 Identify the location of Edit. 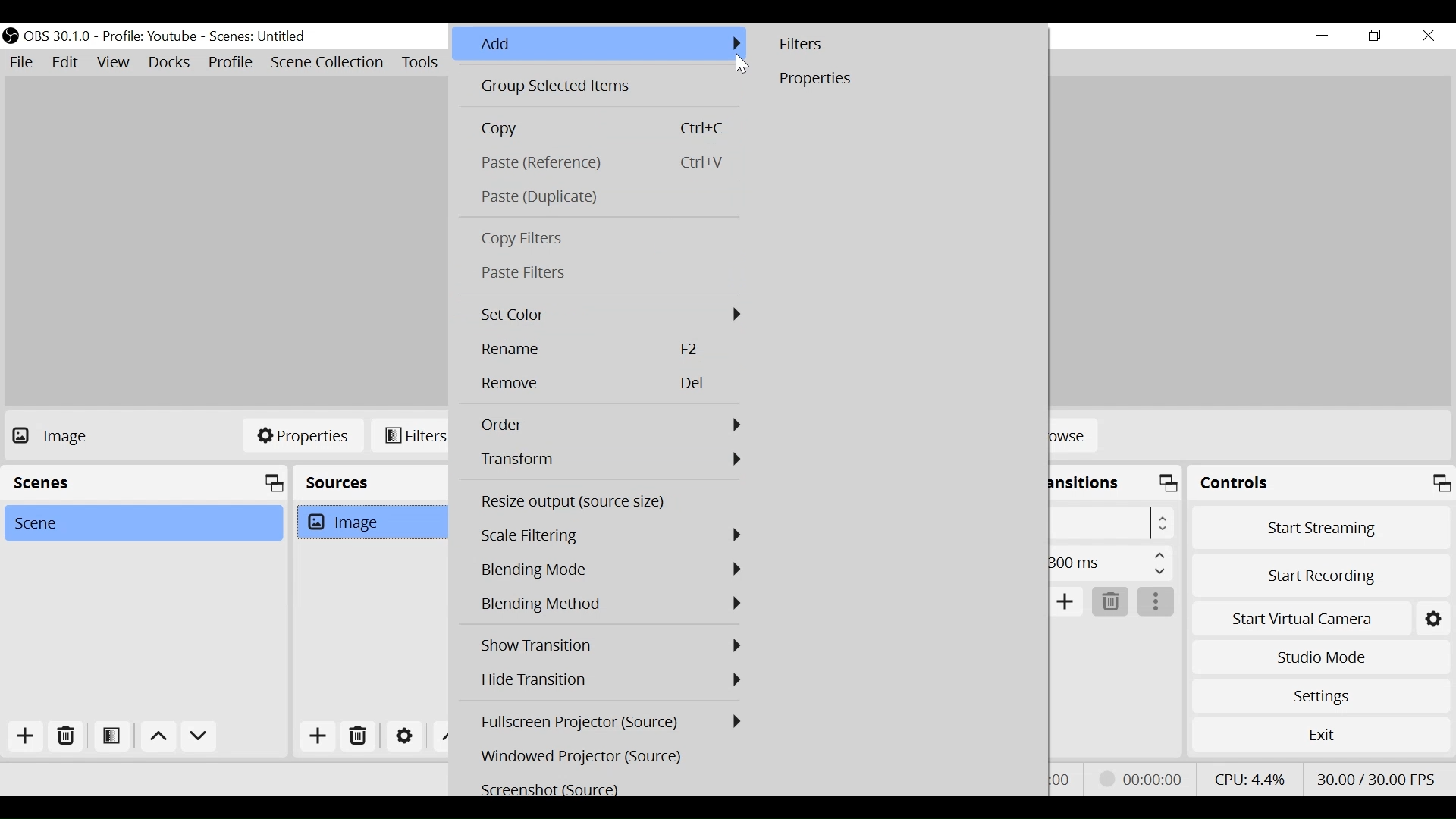
(66, 64).